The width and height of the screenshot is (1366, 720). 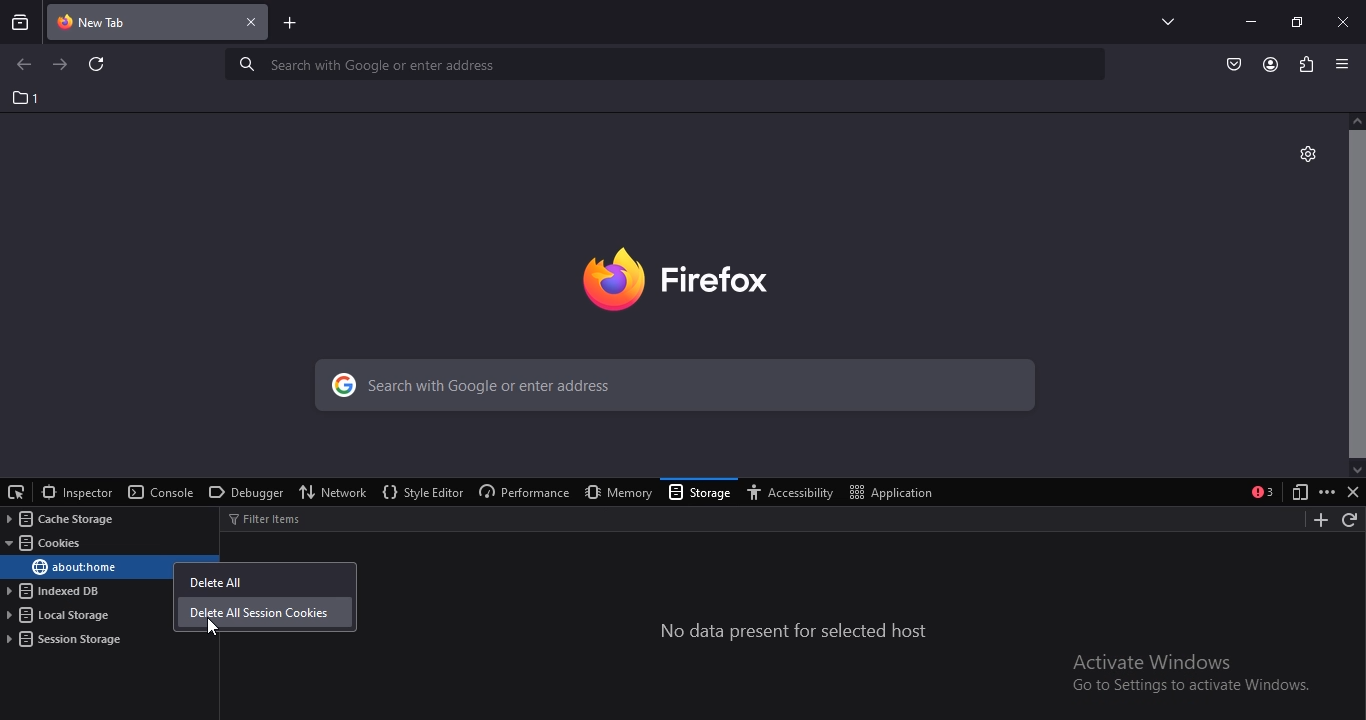 What do you see at coordinates (1316, 520) in the screenshot?
I see `add items` at bounding box center [1316, 520].